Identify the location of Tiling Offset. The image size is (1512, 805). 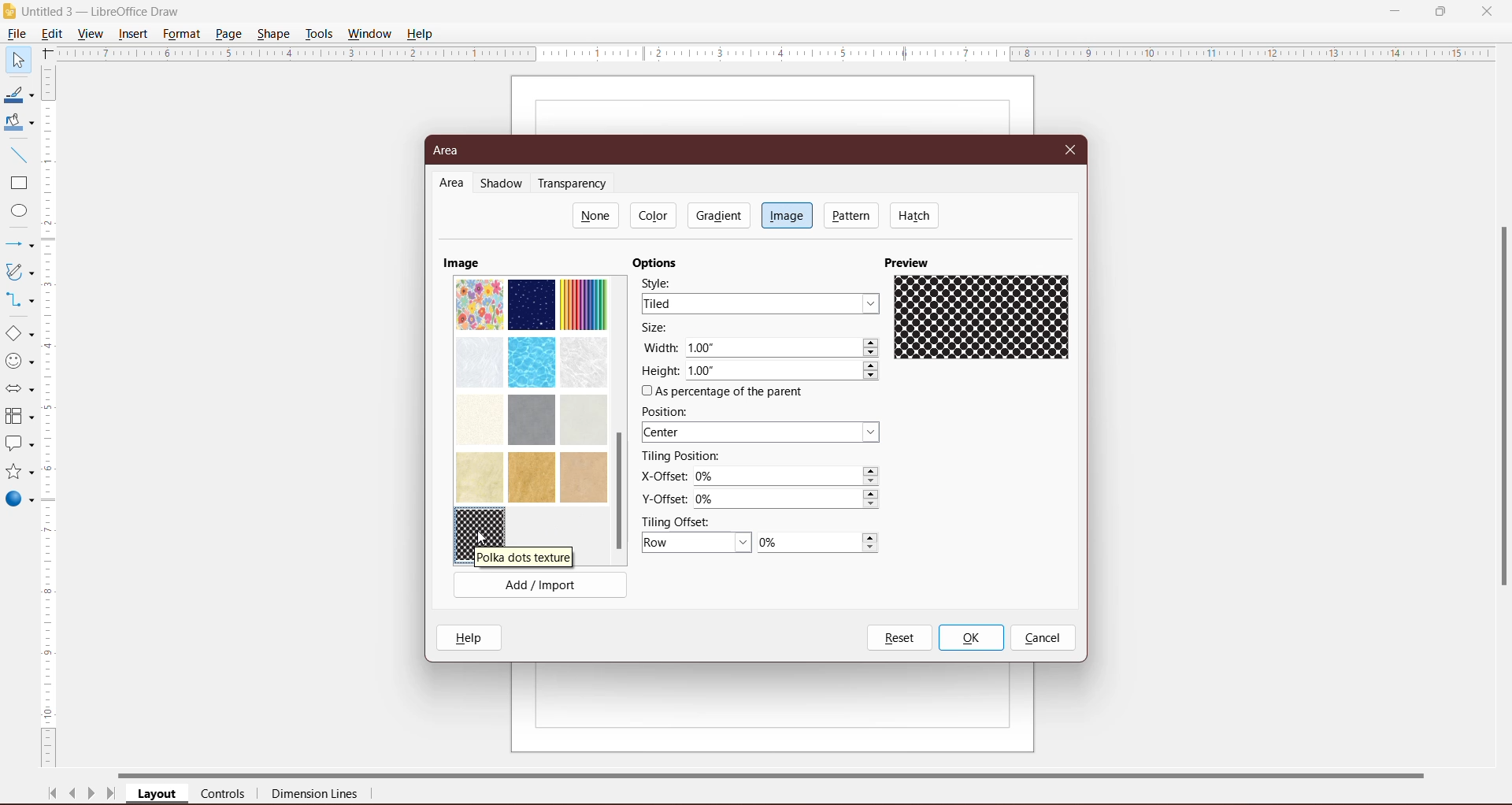
(683, 521).